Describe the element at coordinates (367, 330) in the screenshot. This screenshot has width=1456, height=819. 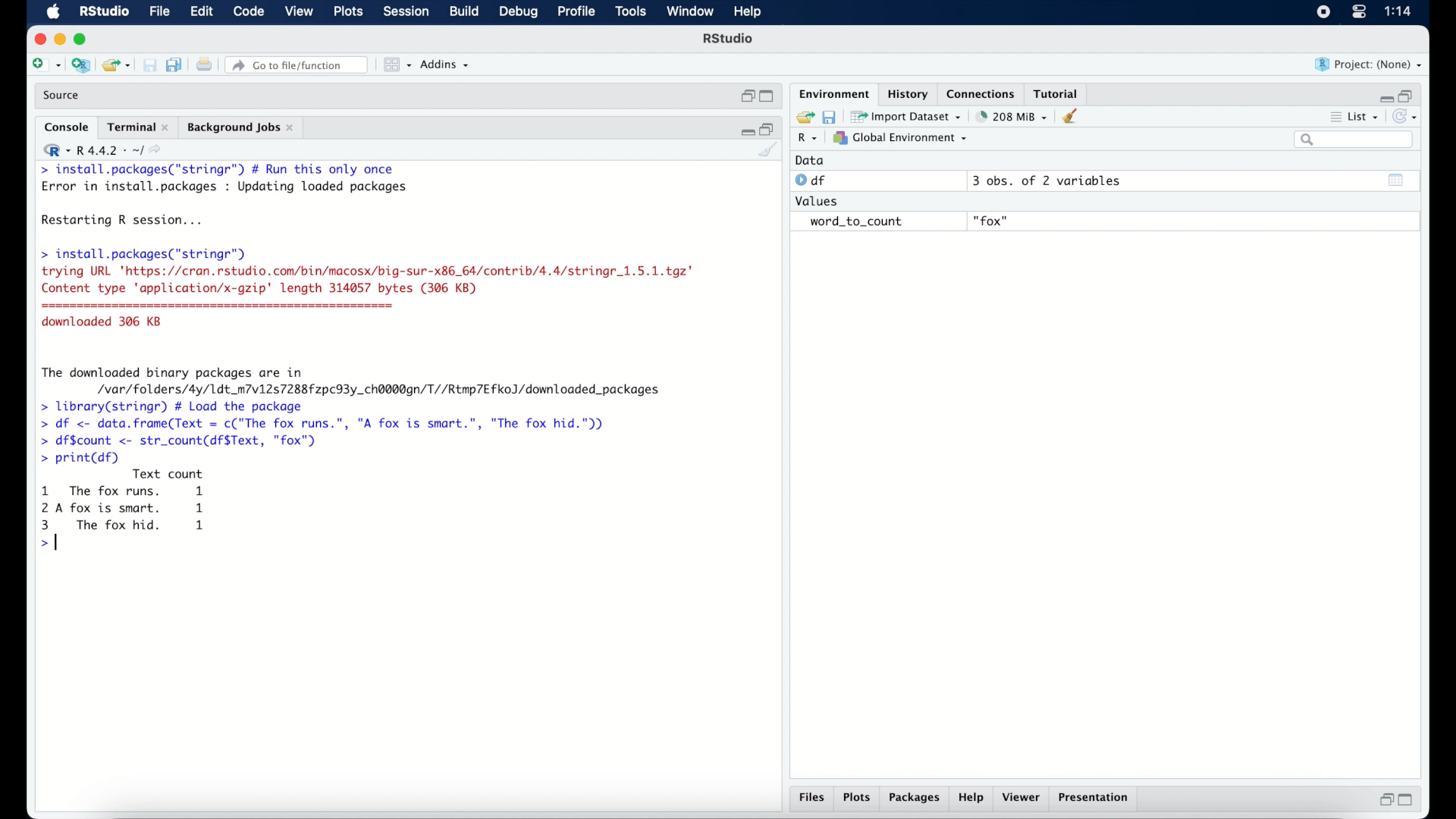
I see `> install.packages("stringr")

trying URL 'https://cran.rstudio.com/bin/macosx/big-sur-x86_64/contrib/4.4/stringr_1.5.1.tgz"

Content type application/x-gzip' length 314057 bytes (306 KB)

downloaded 306 KB

The downloaded binary packages are in
/var/folders/4y/1dt_m7v12s7288fzpc93y_ch@@0dgn/T//Rtmp7Efko)/downloaded_packages

> library(stringr) # Load the package]` at that location.